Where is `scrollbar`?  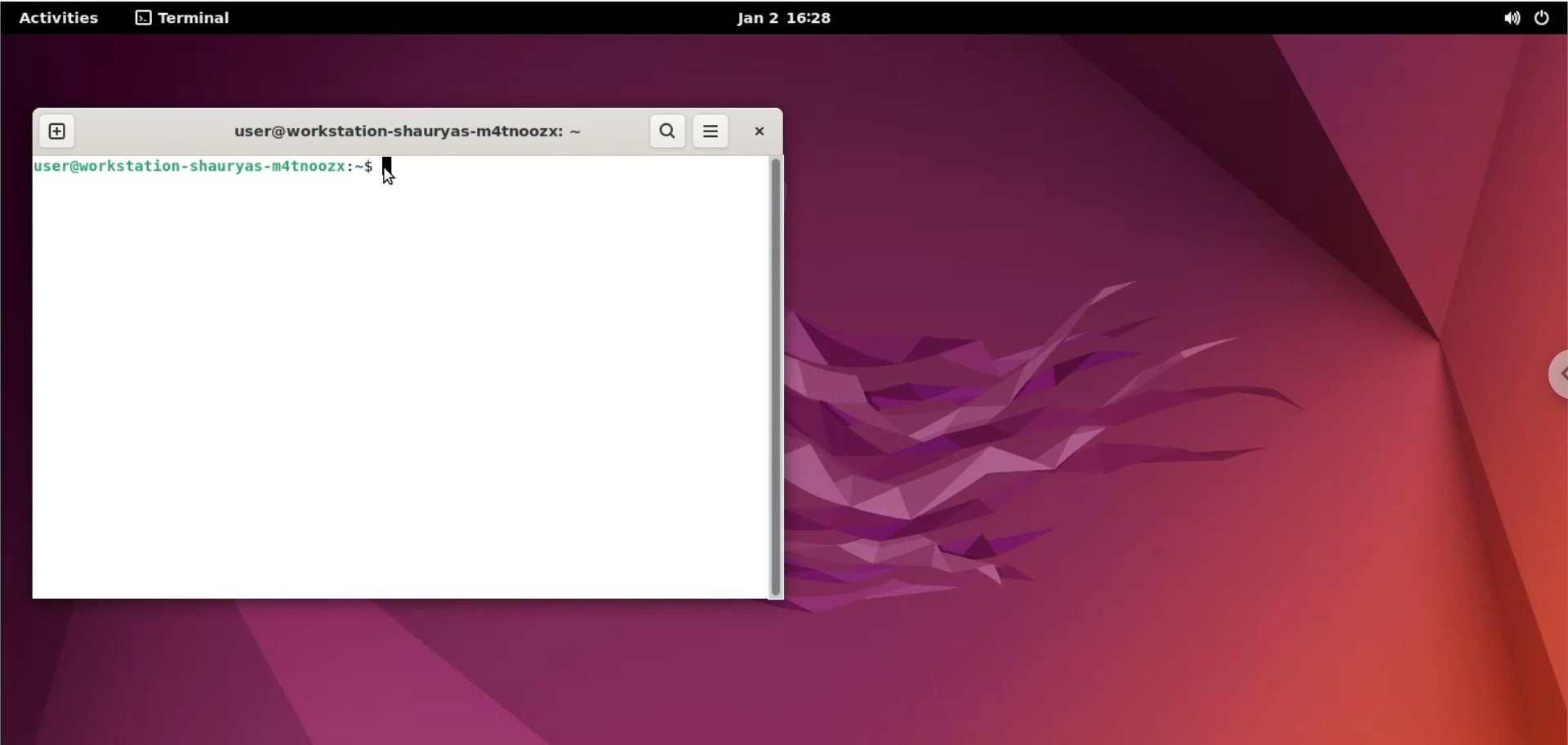
scrollbar is located at coordinates (777, 379).